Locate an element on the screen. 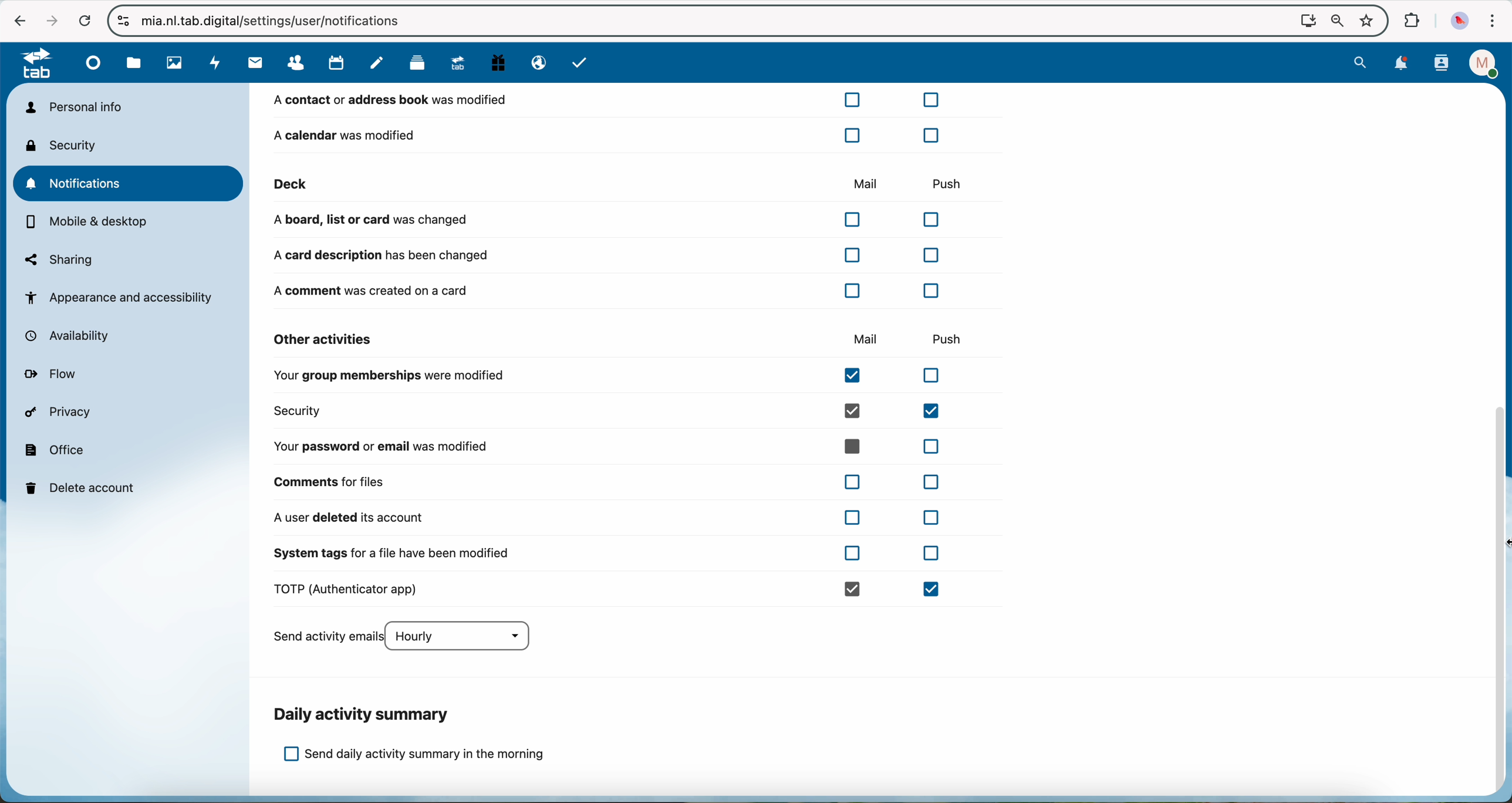  flow is located at coordinates (54, 375).